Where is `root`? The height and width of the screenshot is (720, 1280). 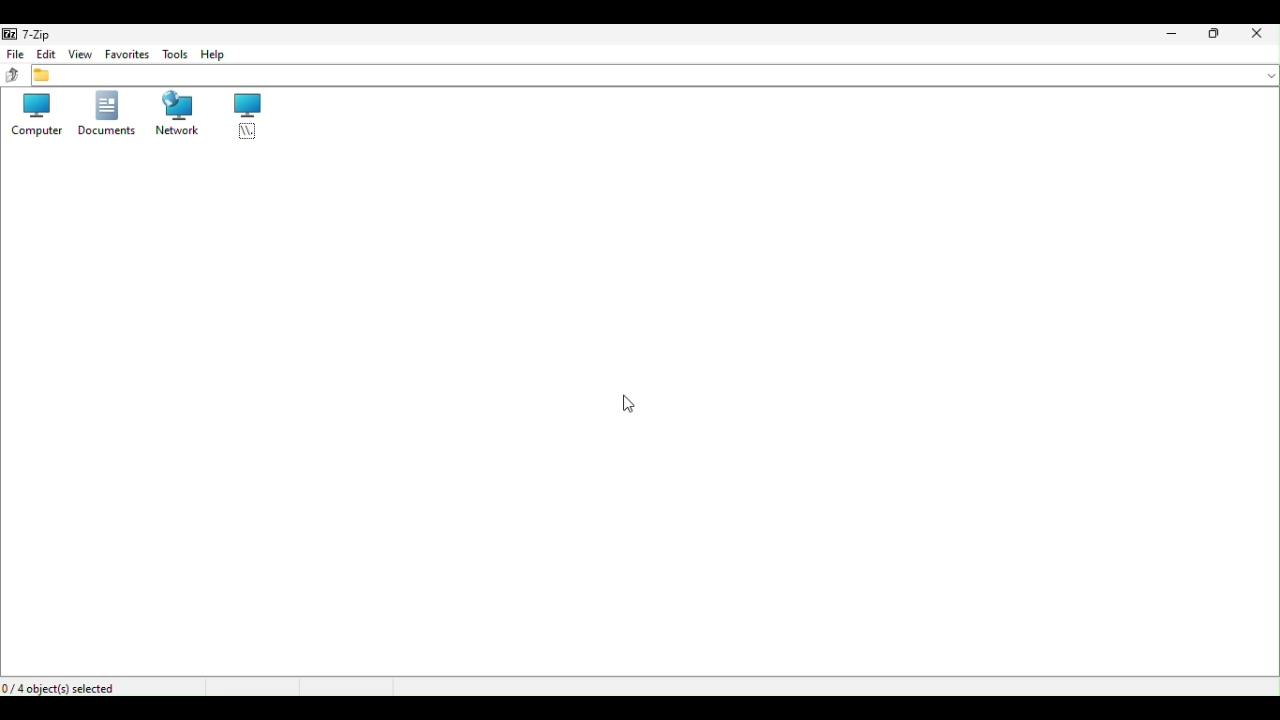 root is located at coordinates (243, 116).